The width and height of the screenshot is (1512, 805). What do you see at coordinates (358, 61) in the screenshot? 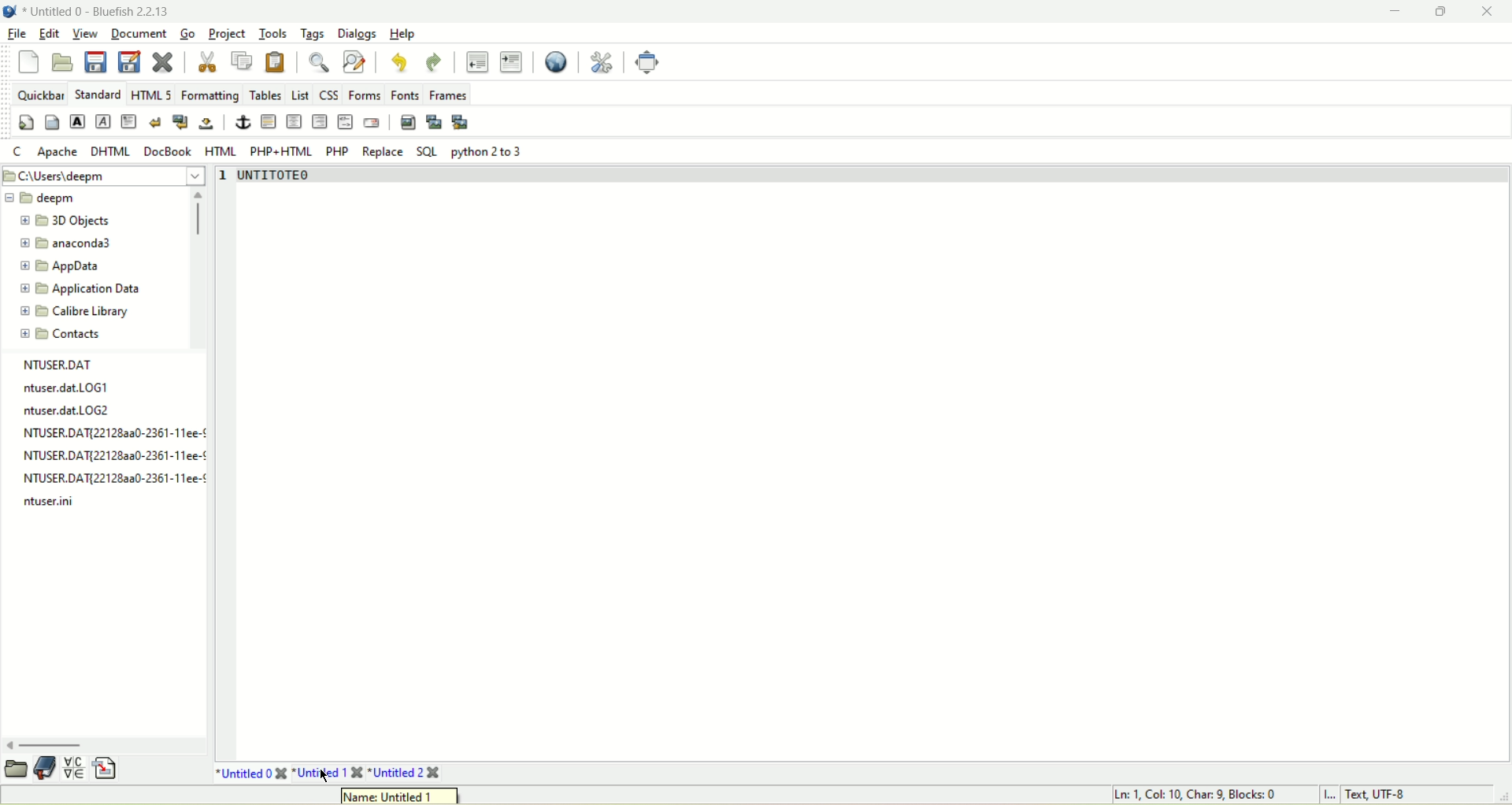
I see `advanced find and replace` at bounding box center [358, 61].